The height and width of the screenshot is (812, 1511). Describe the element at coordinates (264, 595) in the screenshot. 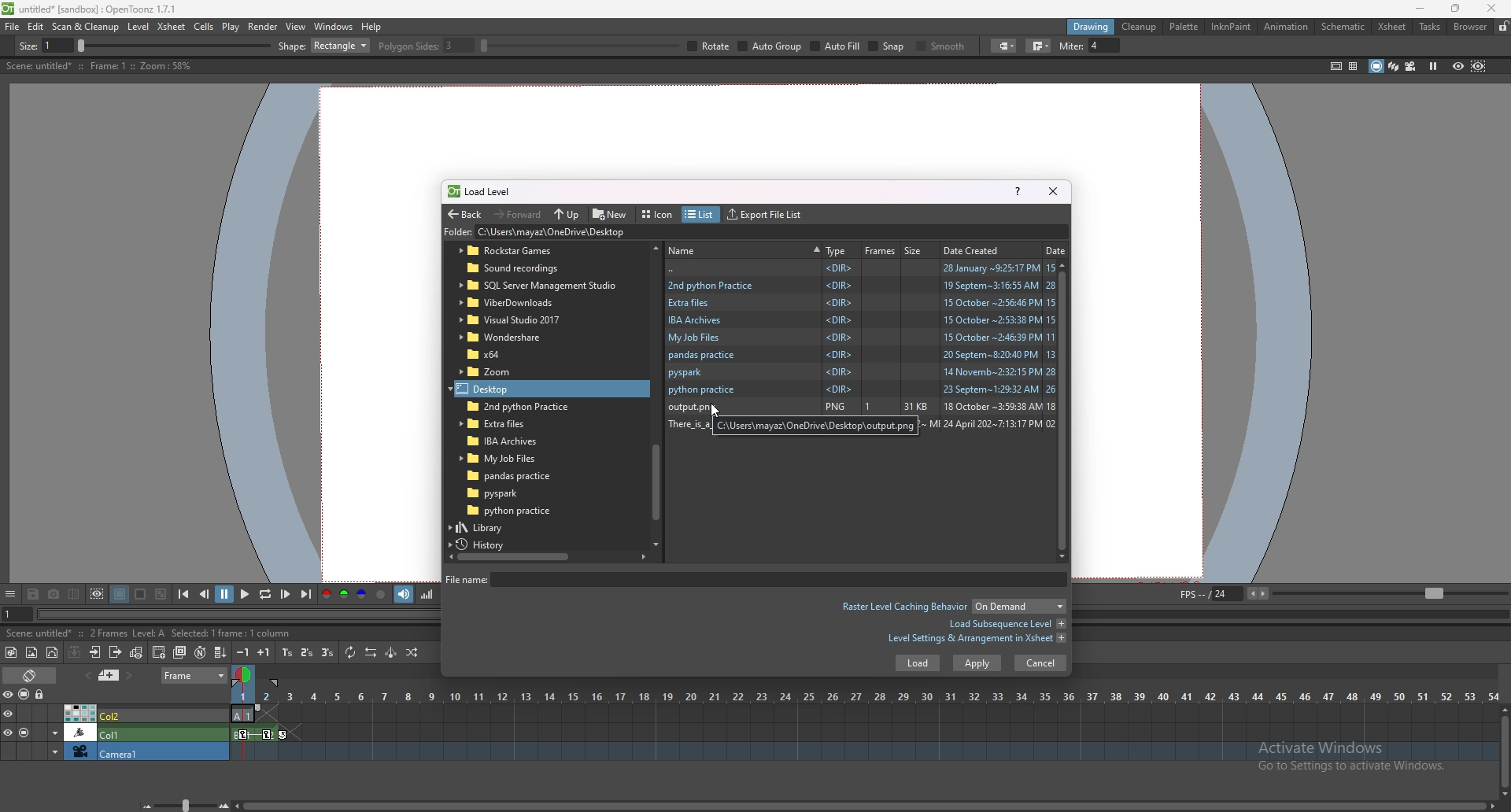

I see `loop` at that location.